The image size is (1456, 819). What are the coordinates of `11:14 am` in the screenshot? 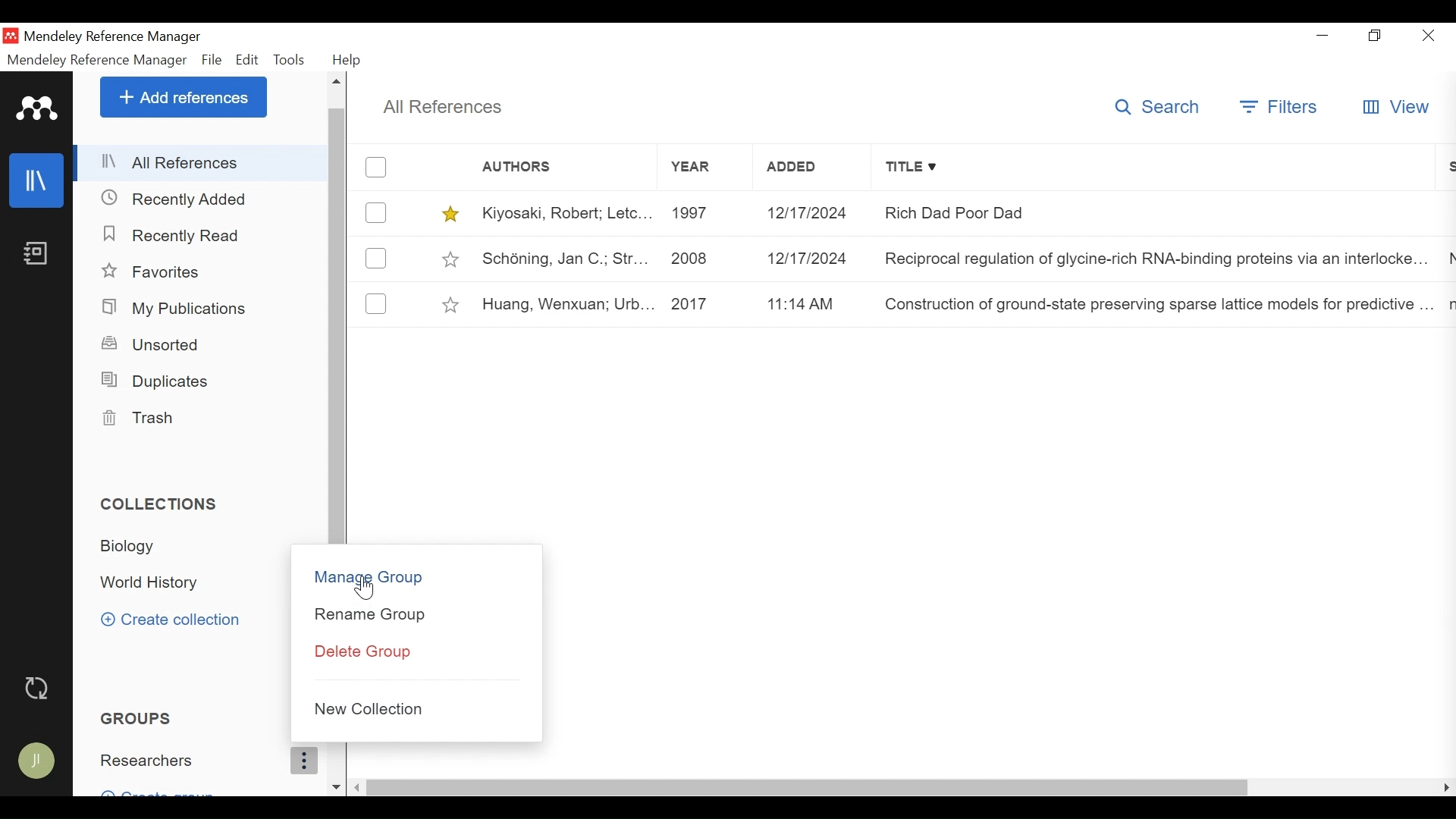 It's located at (813, 303).